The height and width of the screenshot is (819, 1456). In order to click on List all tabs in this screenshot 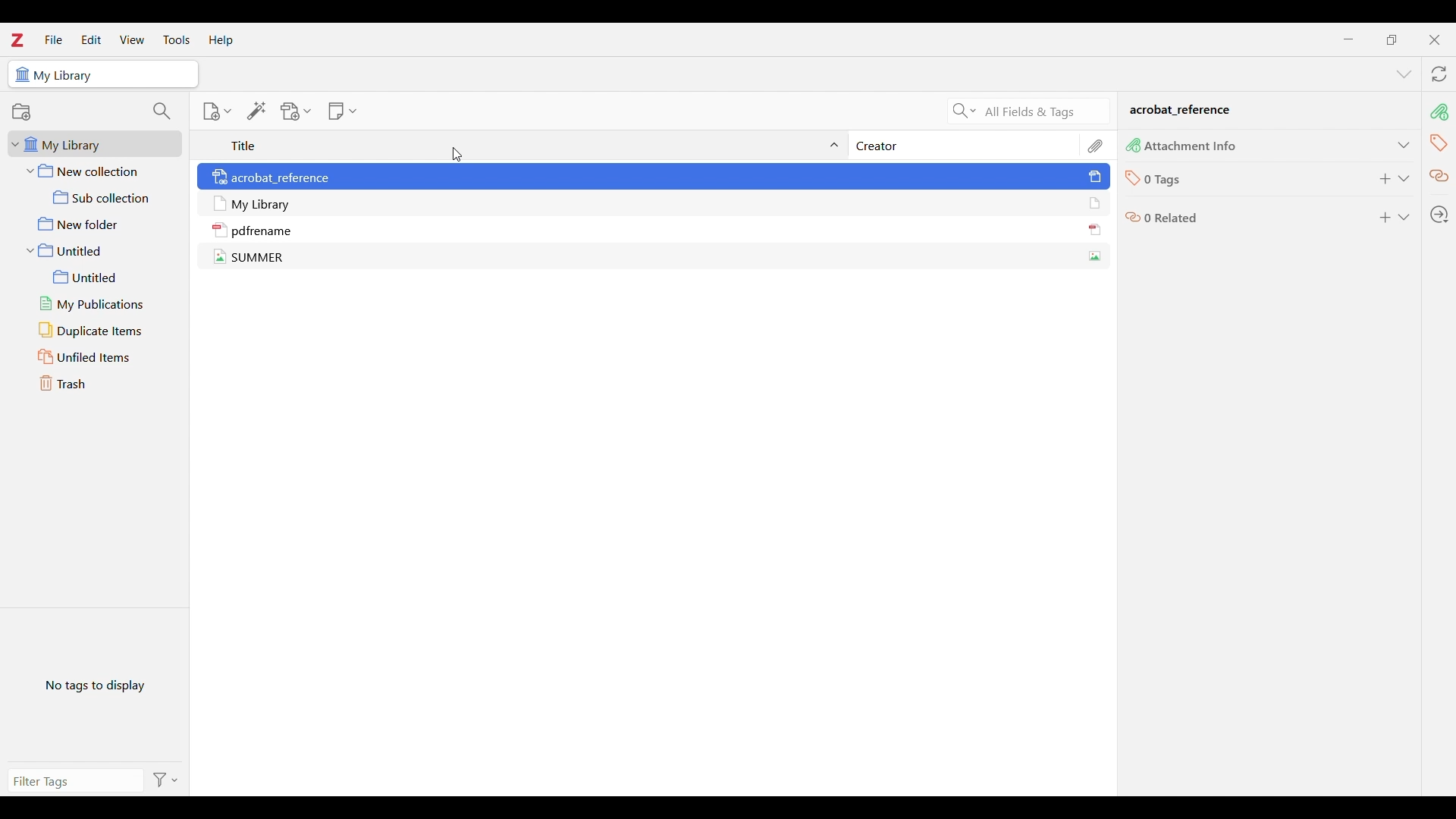, I will do `click(1404, 74)`.